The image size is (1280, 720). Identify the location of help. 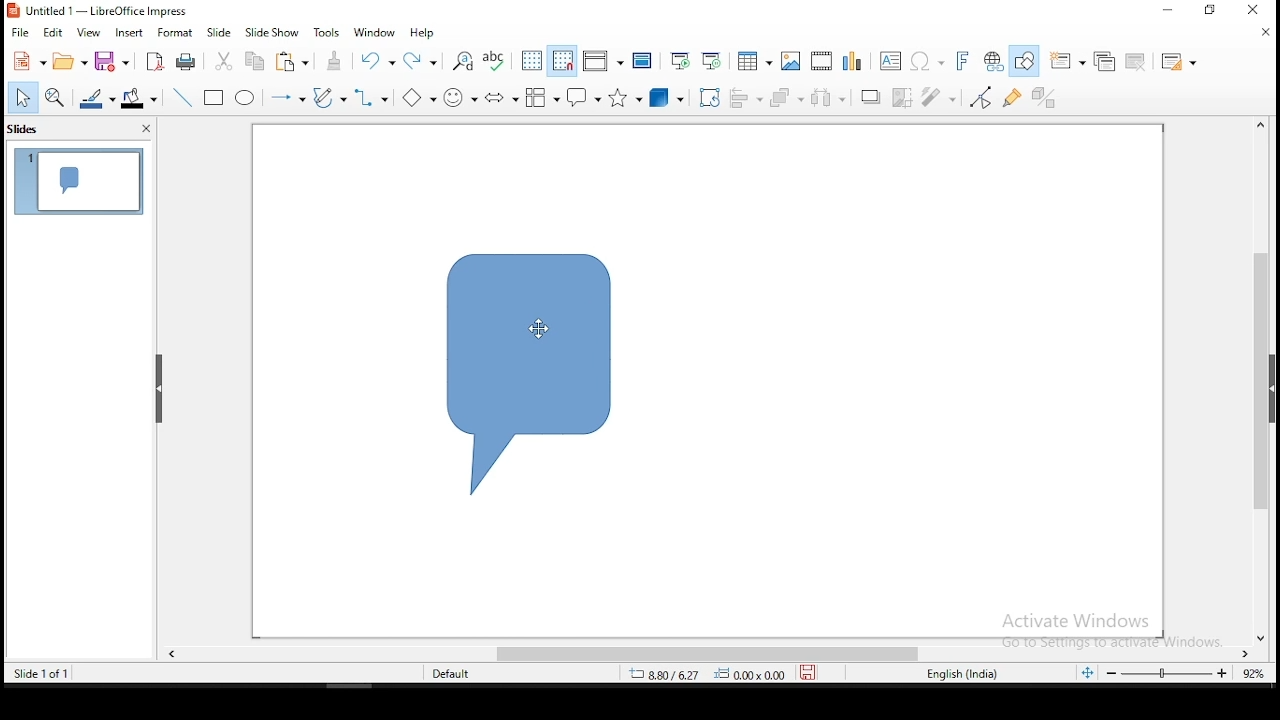
(423, 34).